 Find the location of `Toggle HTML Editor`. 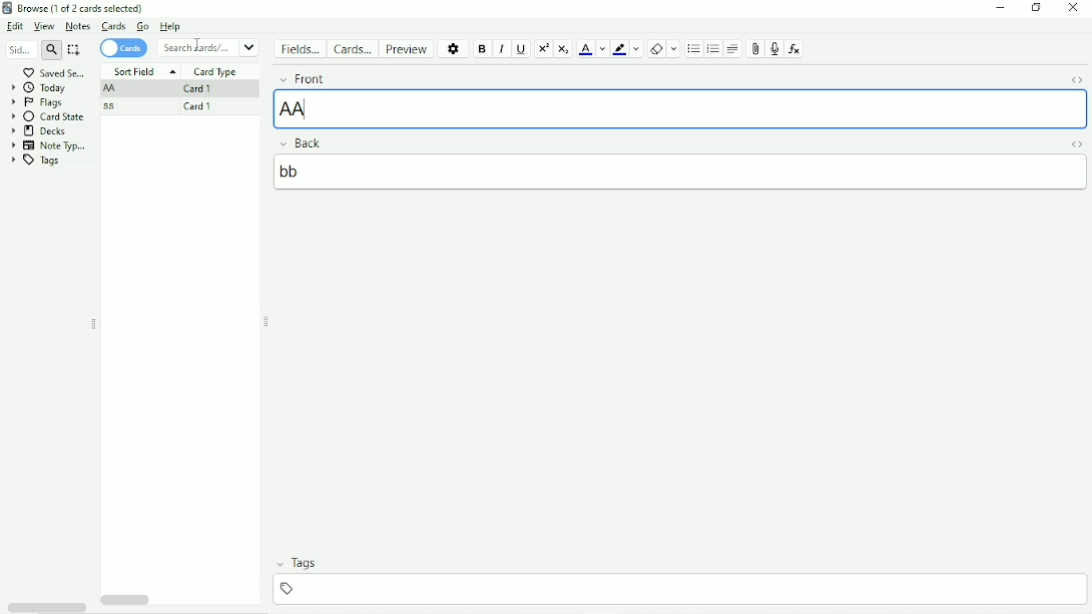

Toggle HTML Editor is located at coordinates (1073, 78).